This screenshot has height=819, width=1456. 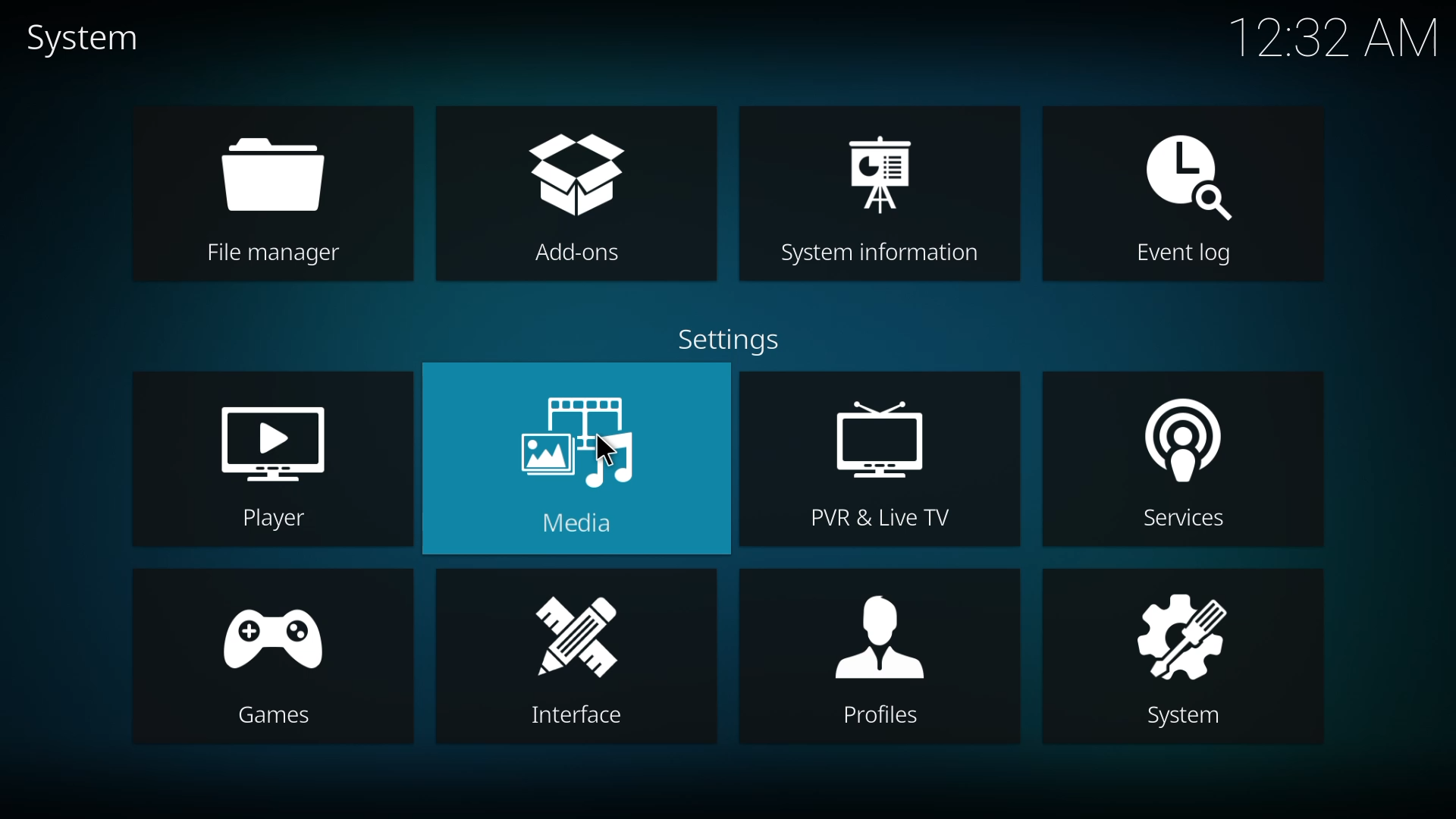 What do you see at coordinates (86, 39) in the screenshot?
I see `system` at bounding box center [86, 39].